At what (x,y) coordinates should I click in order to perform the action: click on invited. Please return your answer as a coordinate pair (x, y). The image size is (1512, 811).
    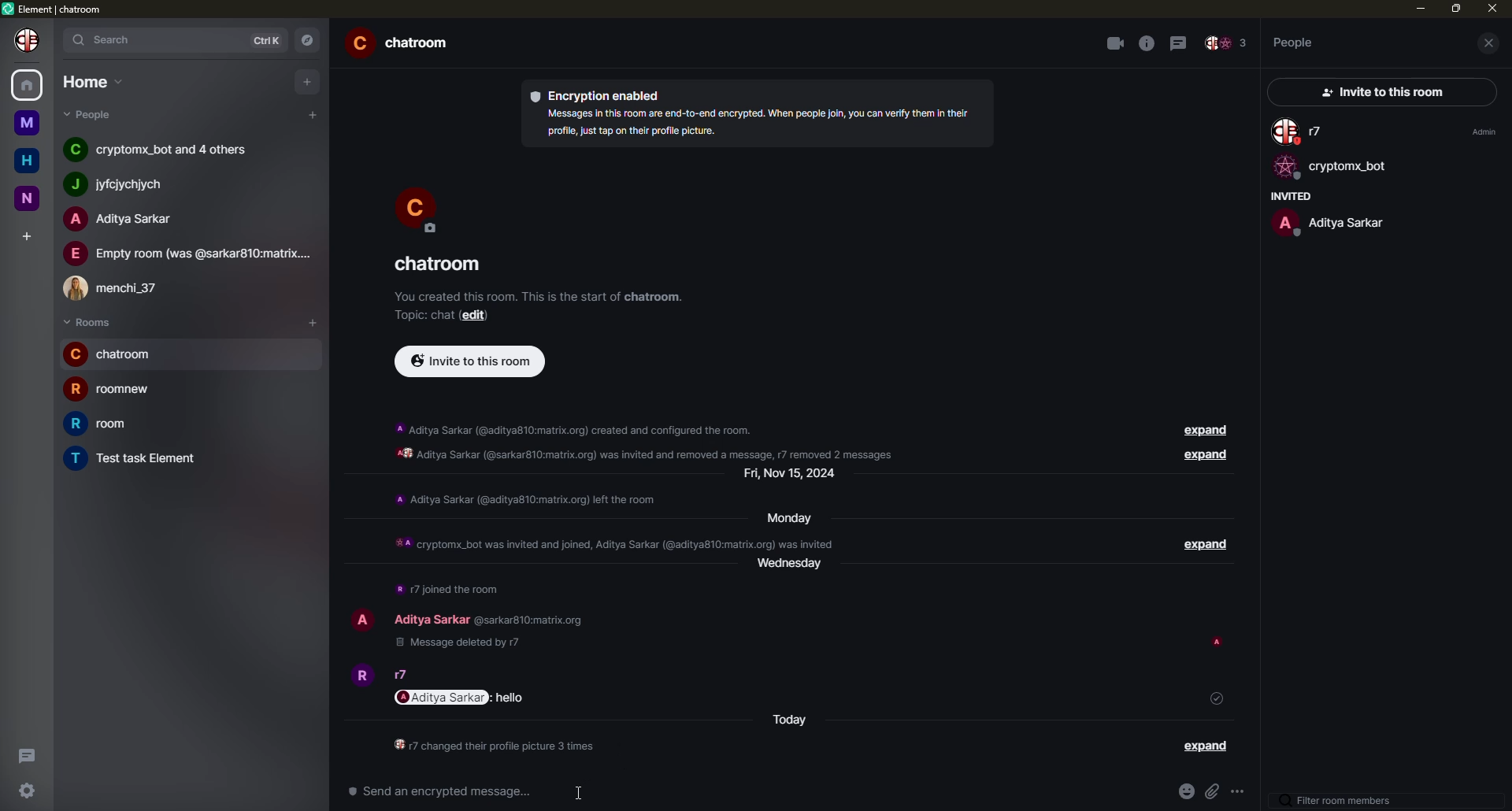
    Looking at the image, I should click on (1288, 196).